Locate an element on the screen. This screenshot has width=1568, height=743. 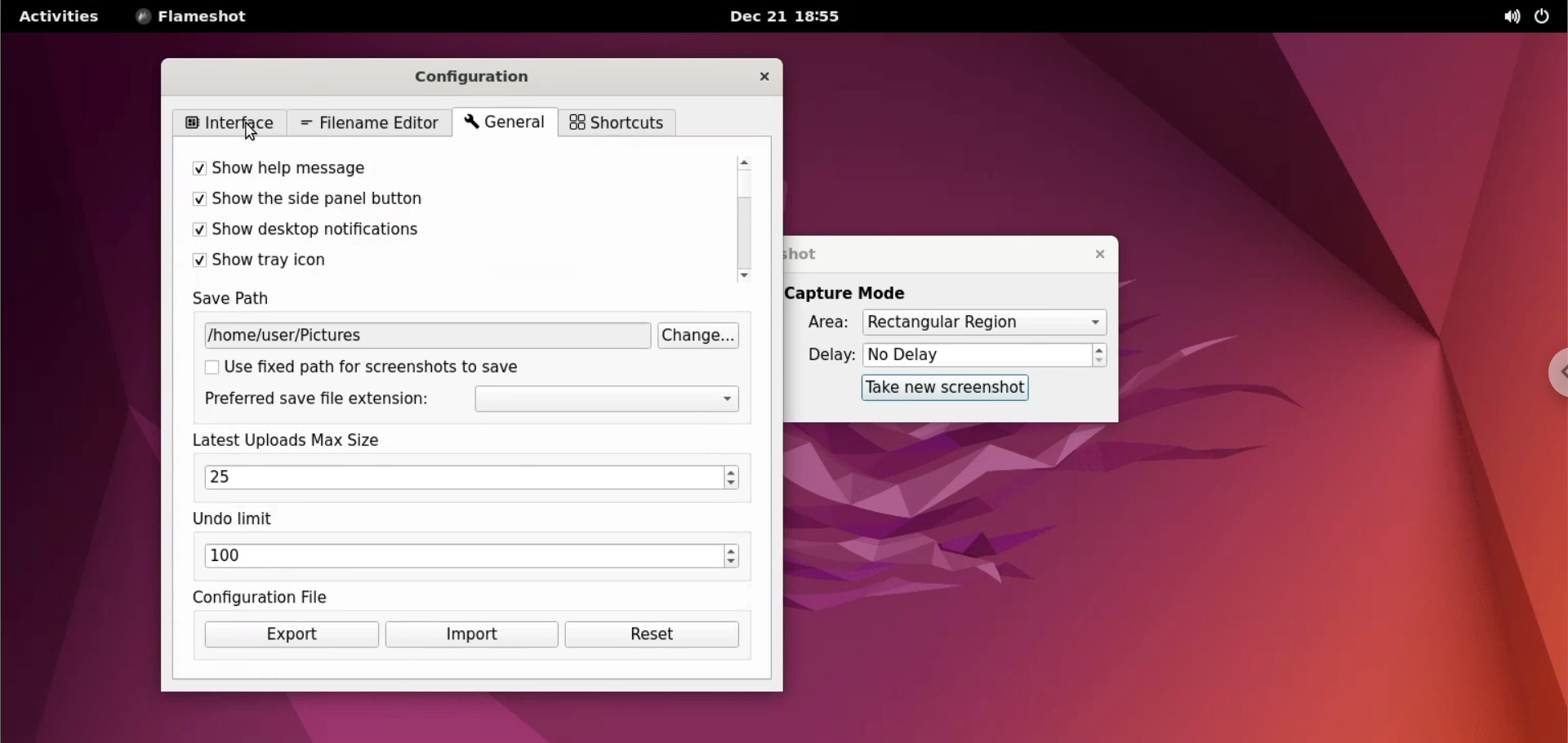
scroll bar is located at coordinates (742, 216).